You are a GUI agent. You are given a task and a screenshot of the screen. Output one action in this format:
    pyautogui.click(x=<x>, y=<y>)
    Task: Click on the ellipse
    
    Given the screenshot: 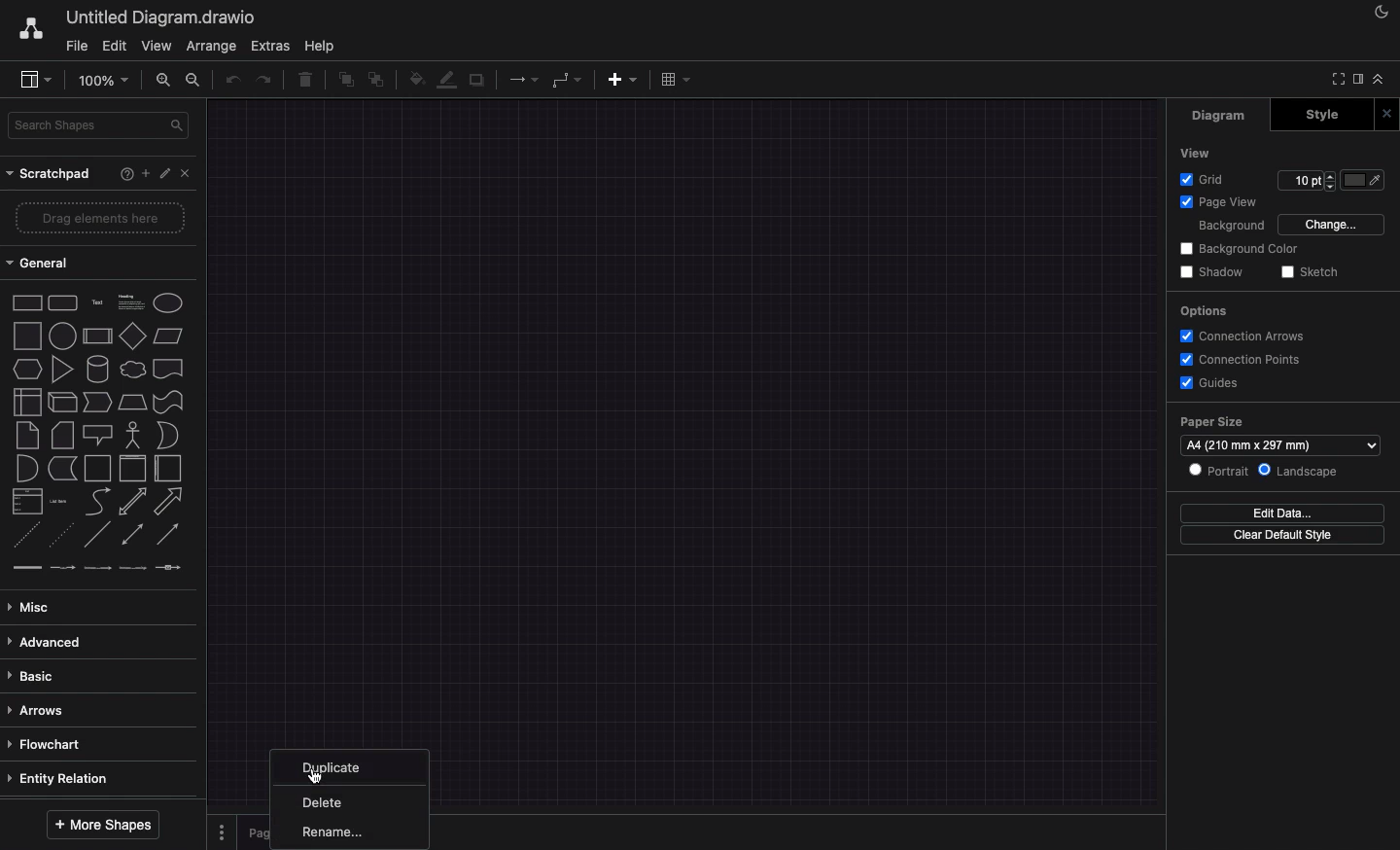 What is the action you would take?
    pyautogui.click(x=168, y=303)
    